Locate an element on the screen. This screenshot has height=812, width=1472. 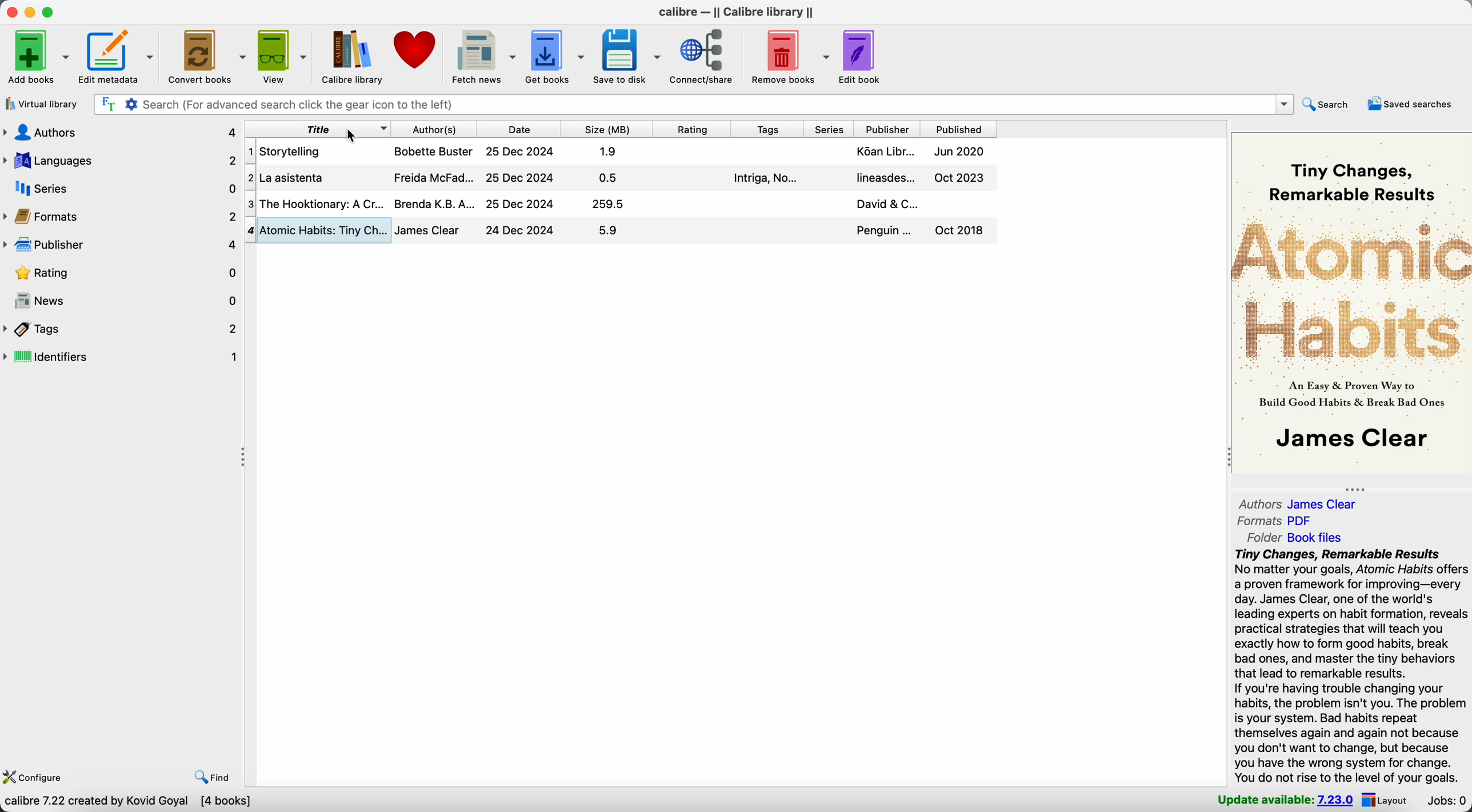
get books is located at coordinates (557, 55).